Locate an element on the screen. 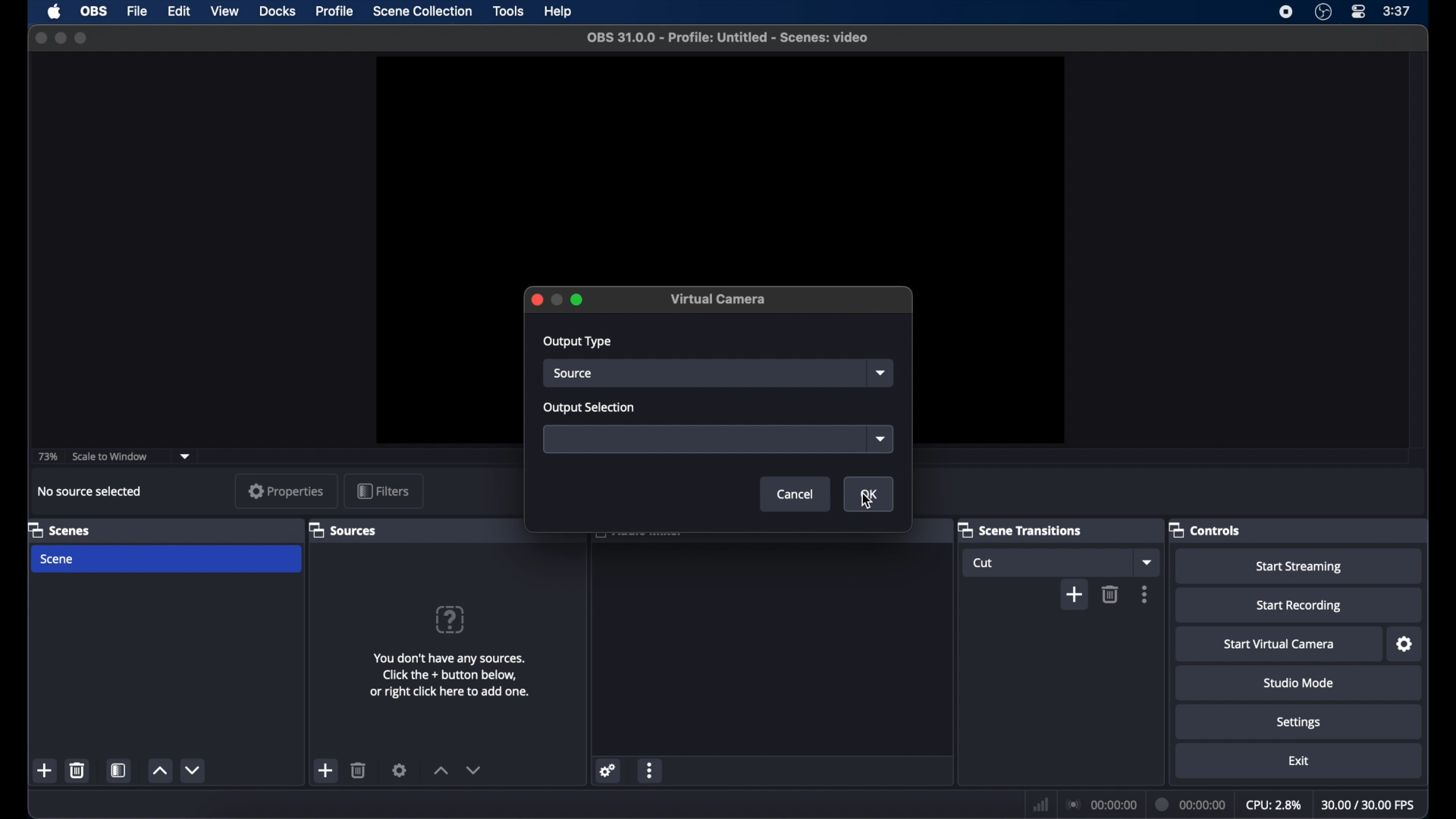 The image size is (1456, 819). controls is located at coordinates (1205, 529).